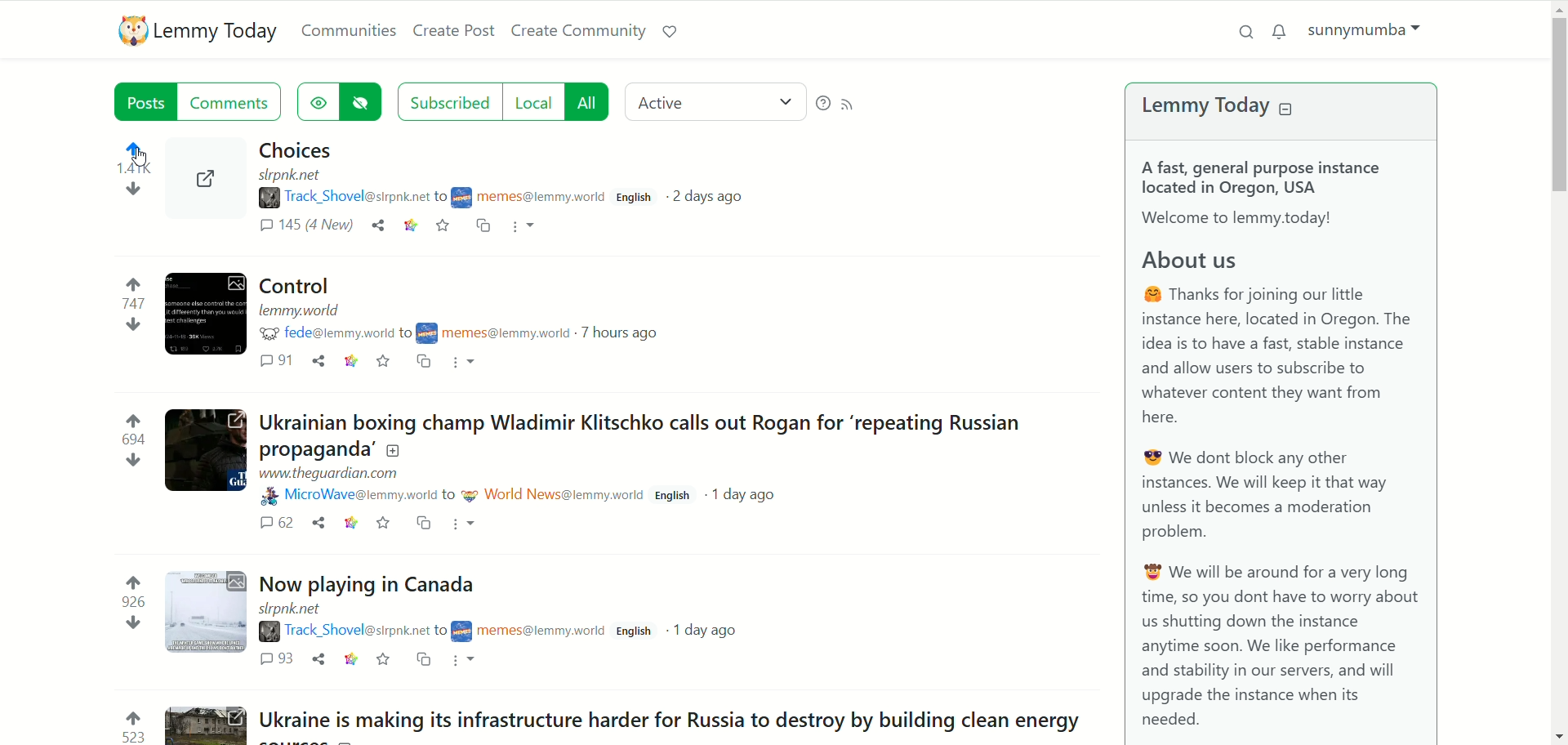 This screenshot has height=745, width=1568. Describe the element at coordinates (1368, 34) in the screenshot. I see `account name` at that location.